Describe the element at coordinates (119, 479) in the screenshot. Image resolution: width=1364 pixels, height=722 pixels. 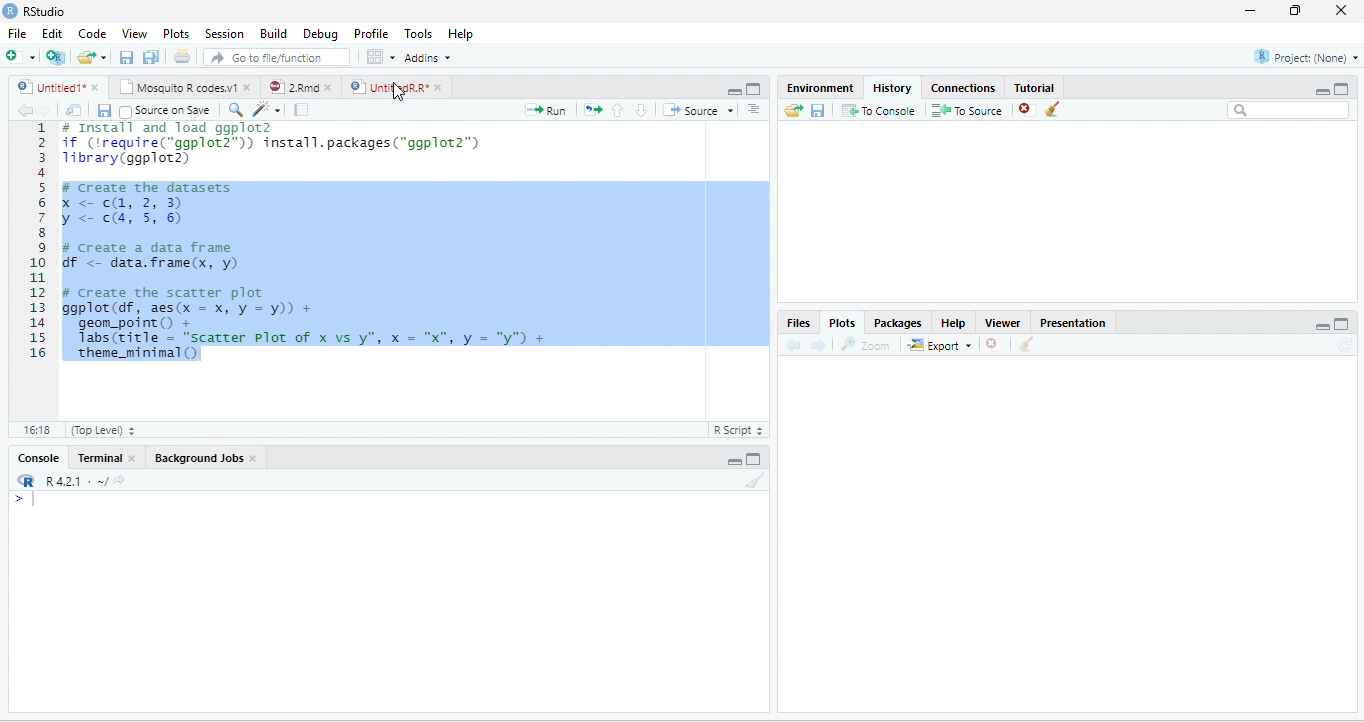
I see `View the current working directory` at that location.